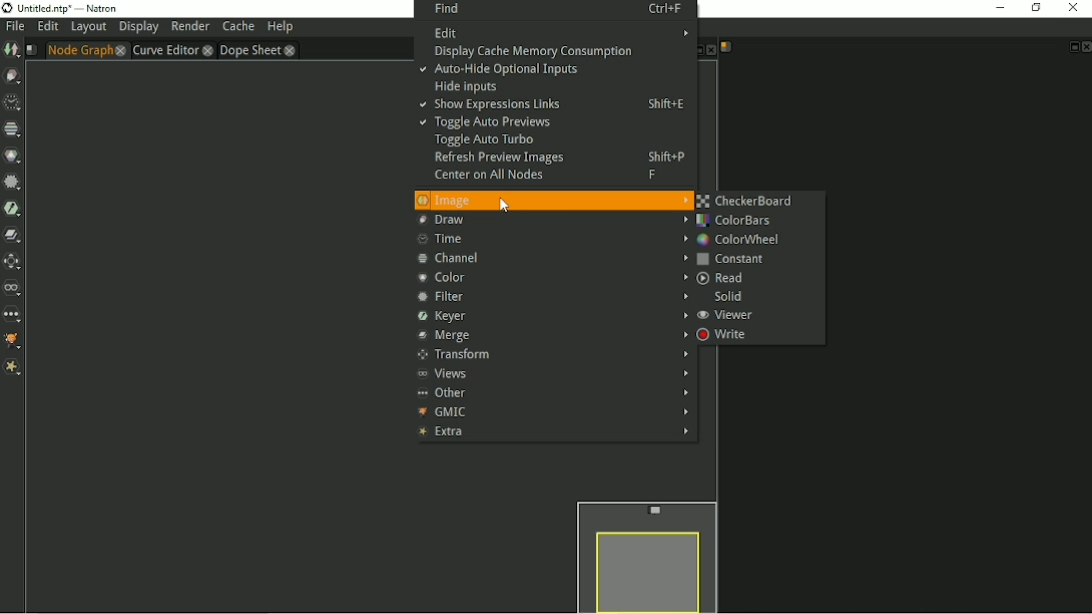 The width and height of the screenshot is (1092, 614). What do you see at coordinates (88, 28) in the screenshot?
I see `Layout` at bounding box center [88, 28].